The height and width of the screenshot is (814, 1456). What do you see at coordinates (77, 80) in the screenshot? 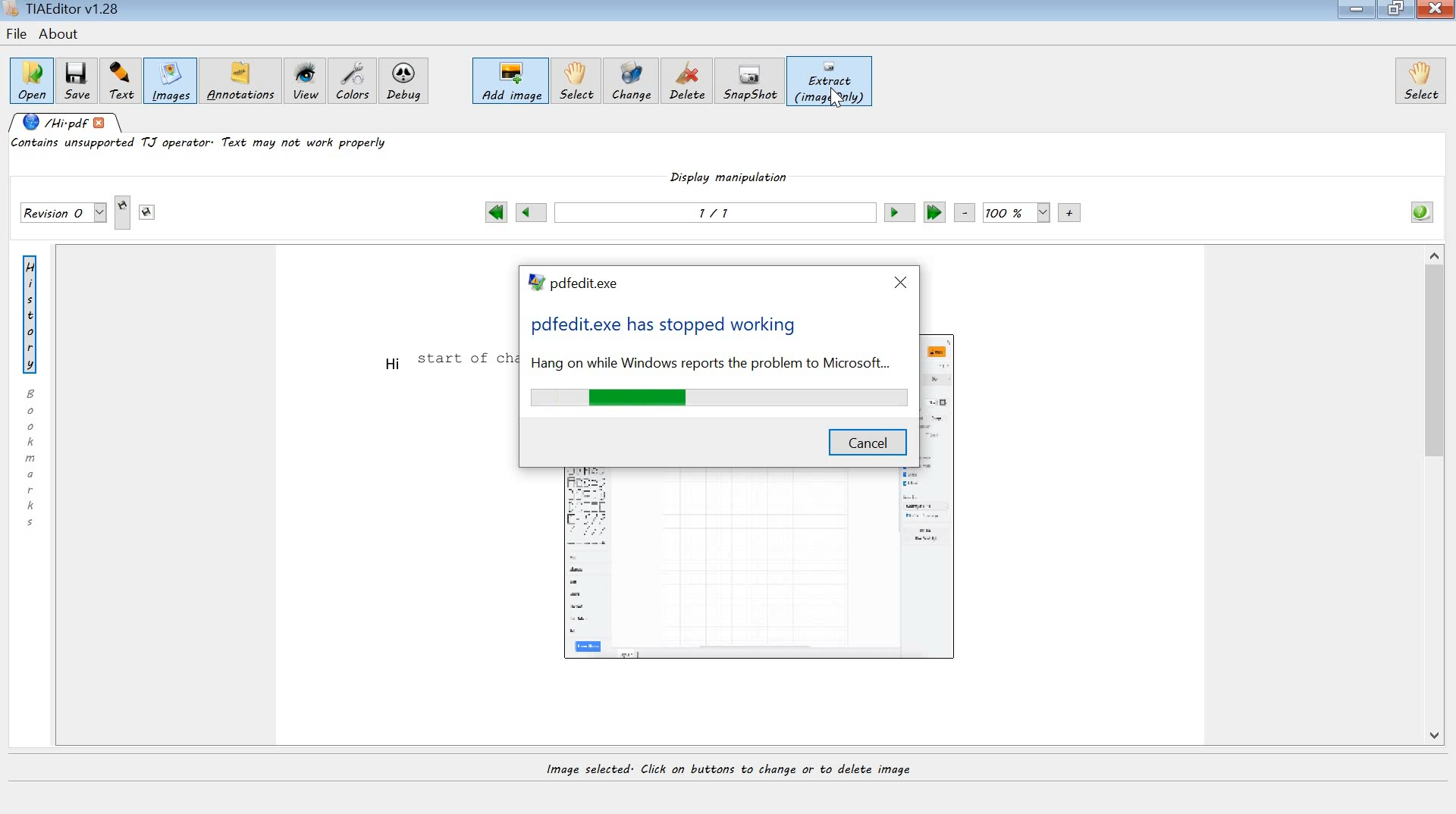
I see `save` at bounding box center [77, 80].